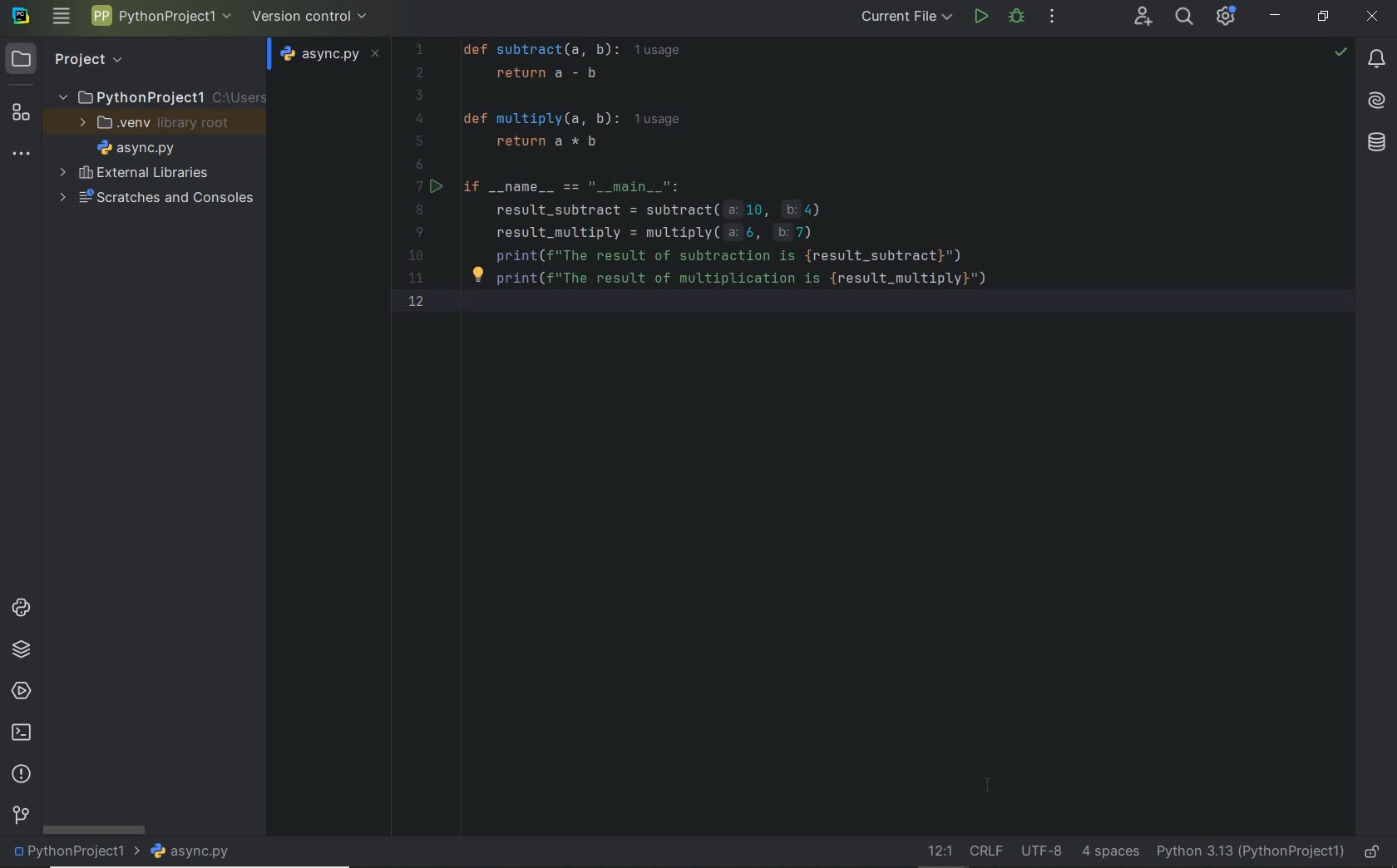 The image size is (1397, 868). I want to click on file name, so click(136, 147).